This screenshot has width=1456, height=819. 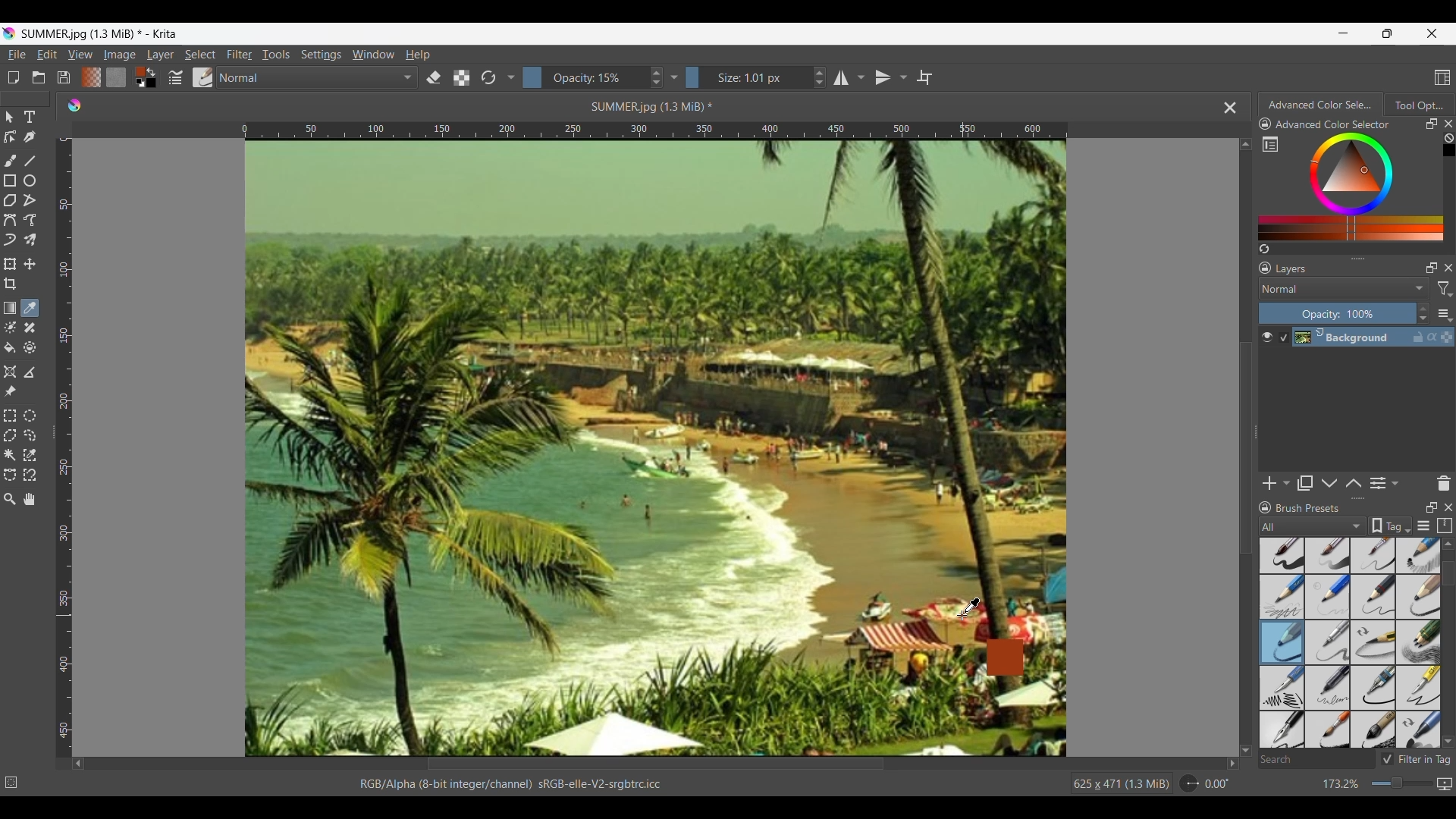 What do you see at coordinates (1394, 482) in the screenshot?
I see `Layer property settings` at bounding box center [1394, 482].